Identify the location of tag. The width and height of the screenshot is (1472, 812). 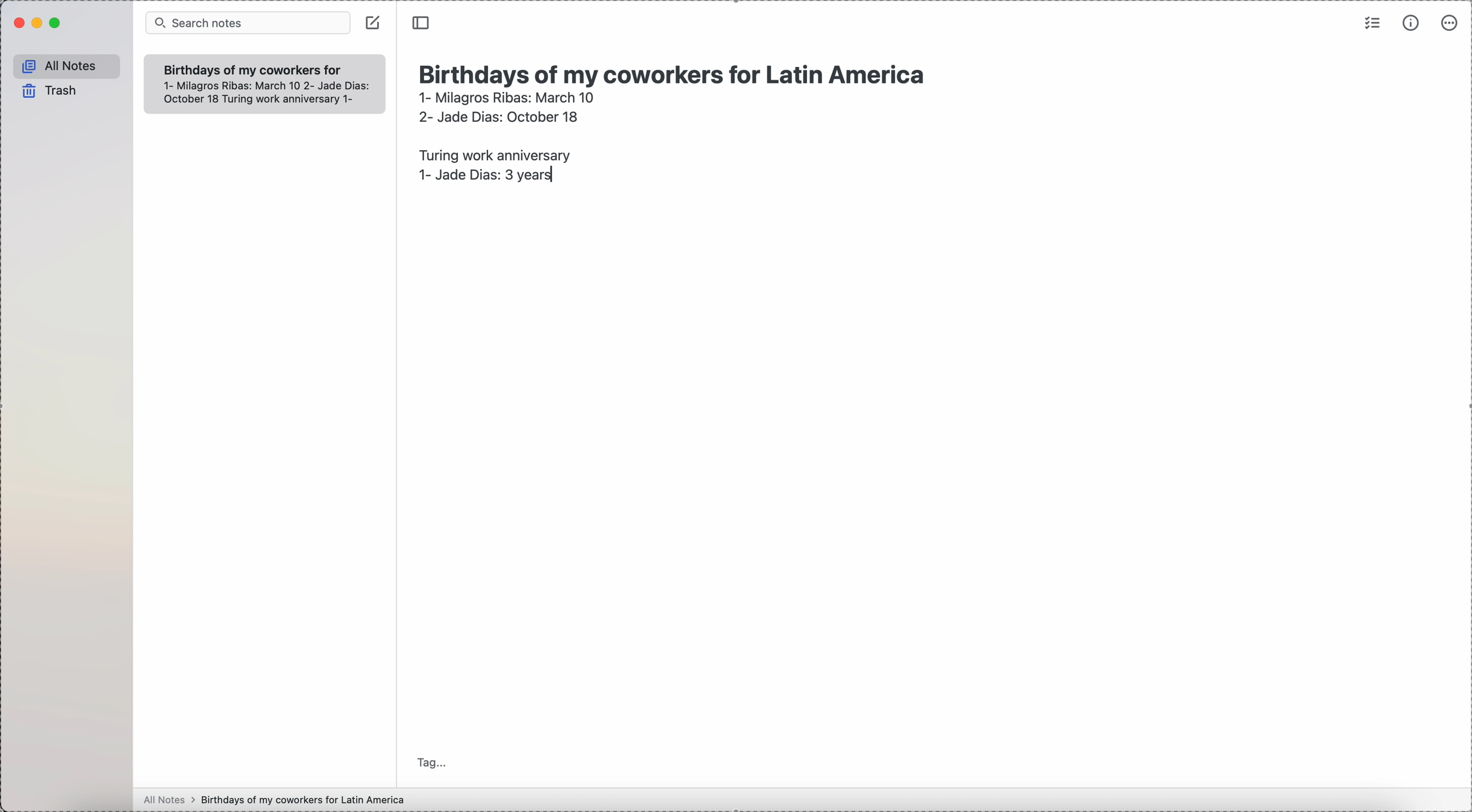
(433, 762).